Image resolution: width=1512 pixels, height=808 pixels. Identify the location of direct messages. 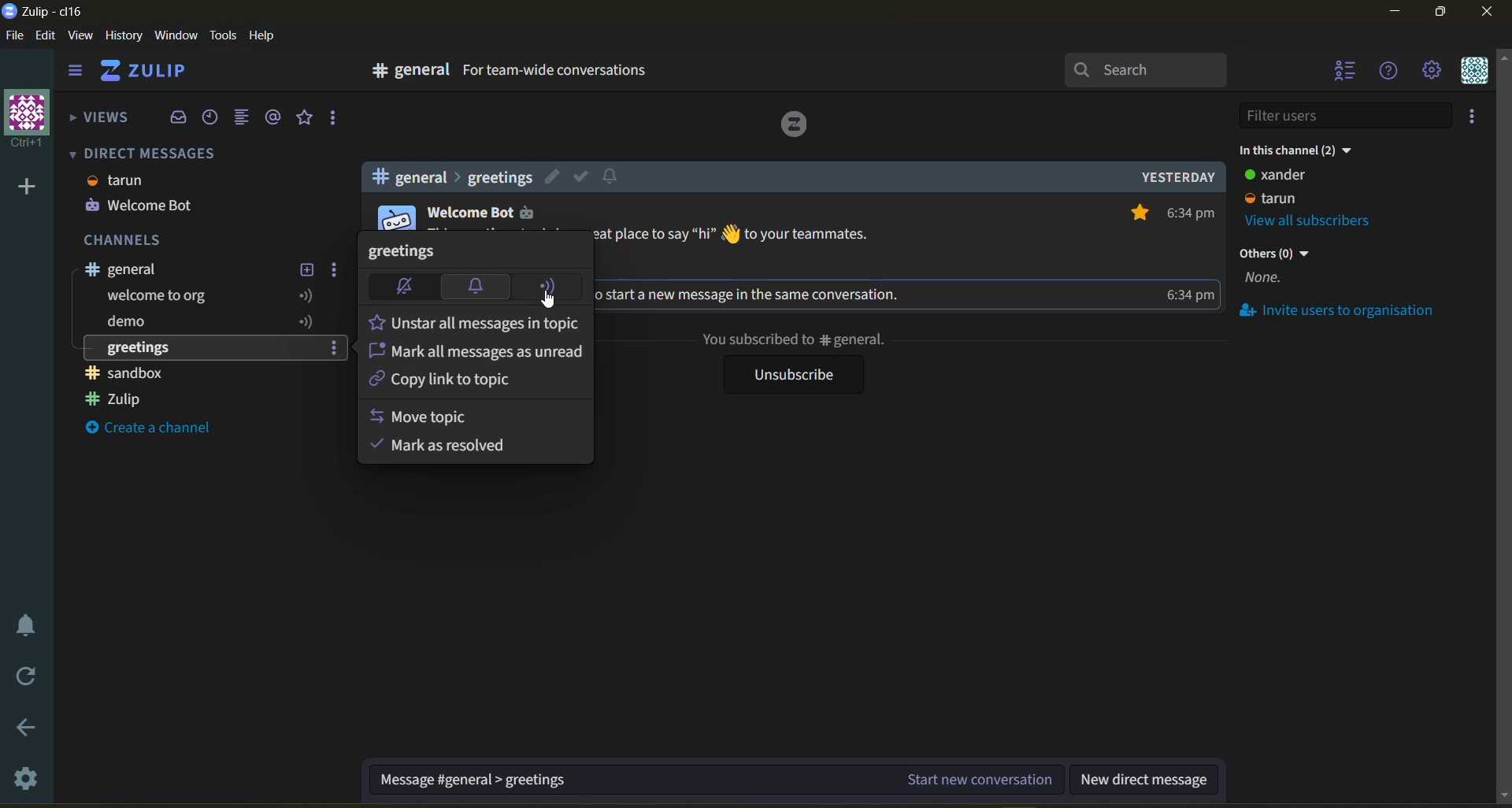
(146, 152).